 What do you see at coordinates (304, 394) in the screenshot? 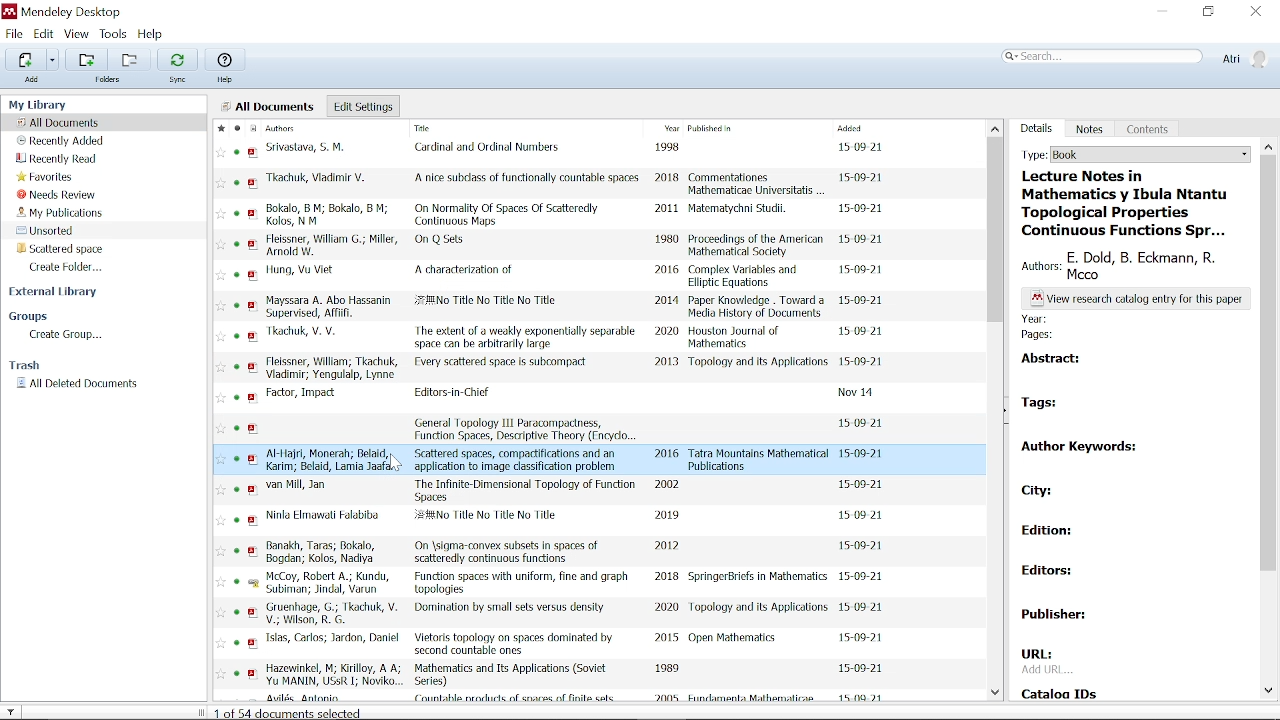
I see `authors` at bounding box center [304, 394].